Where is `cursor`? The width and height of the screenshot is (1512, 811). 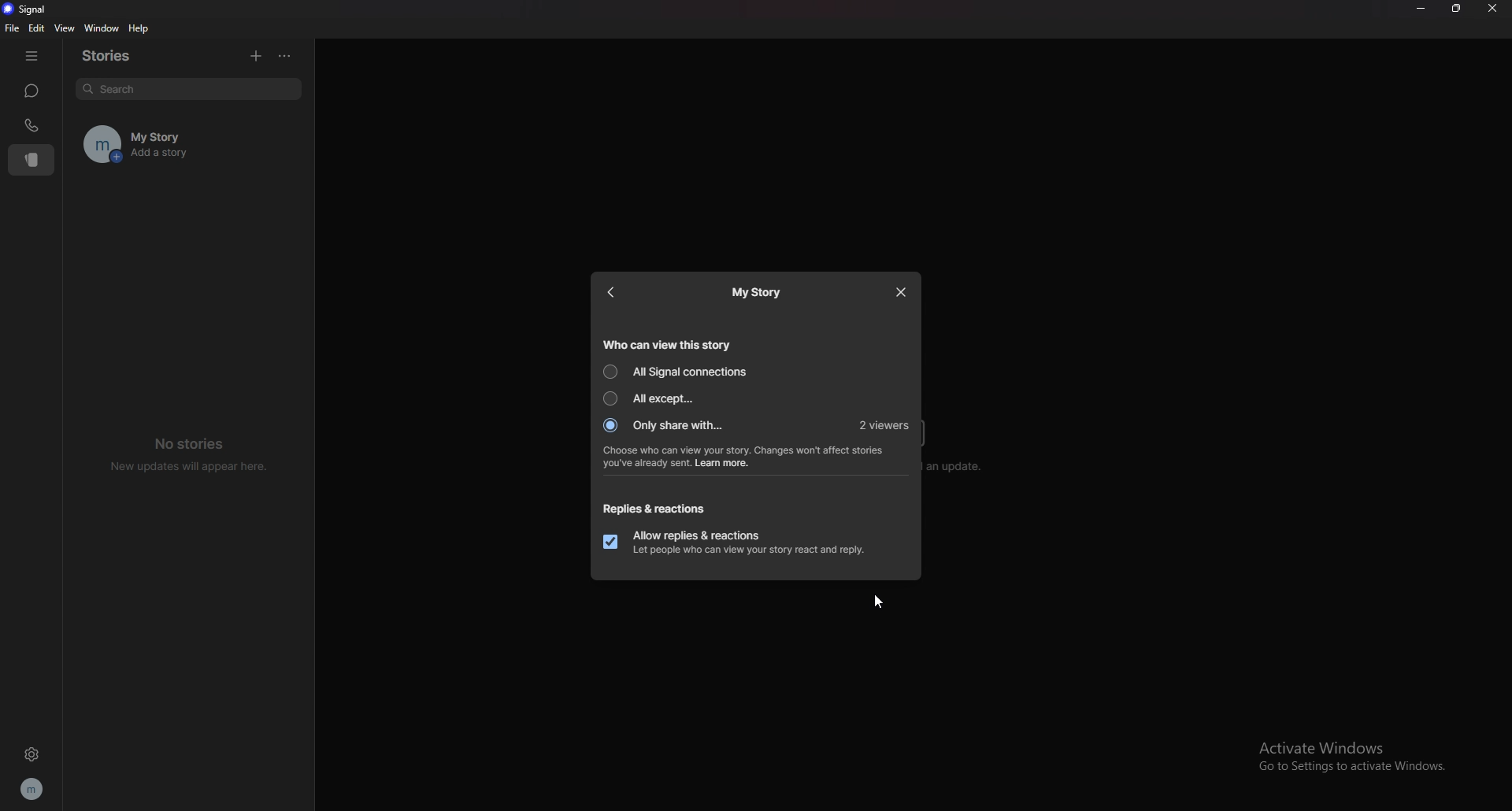 cursor is located at coordinates (881, 601).